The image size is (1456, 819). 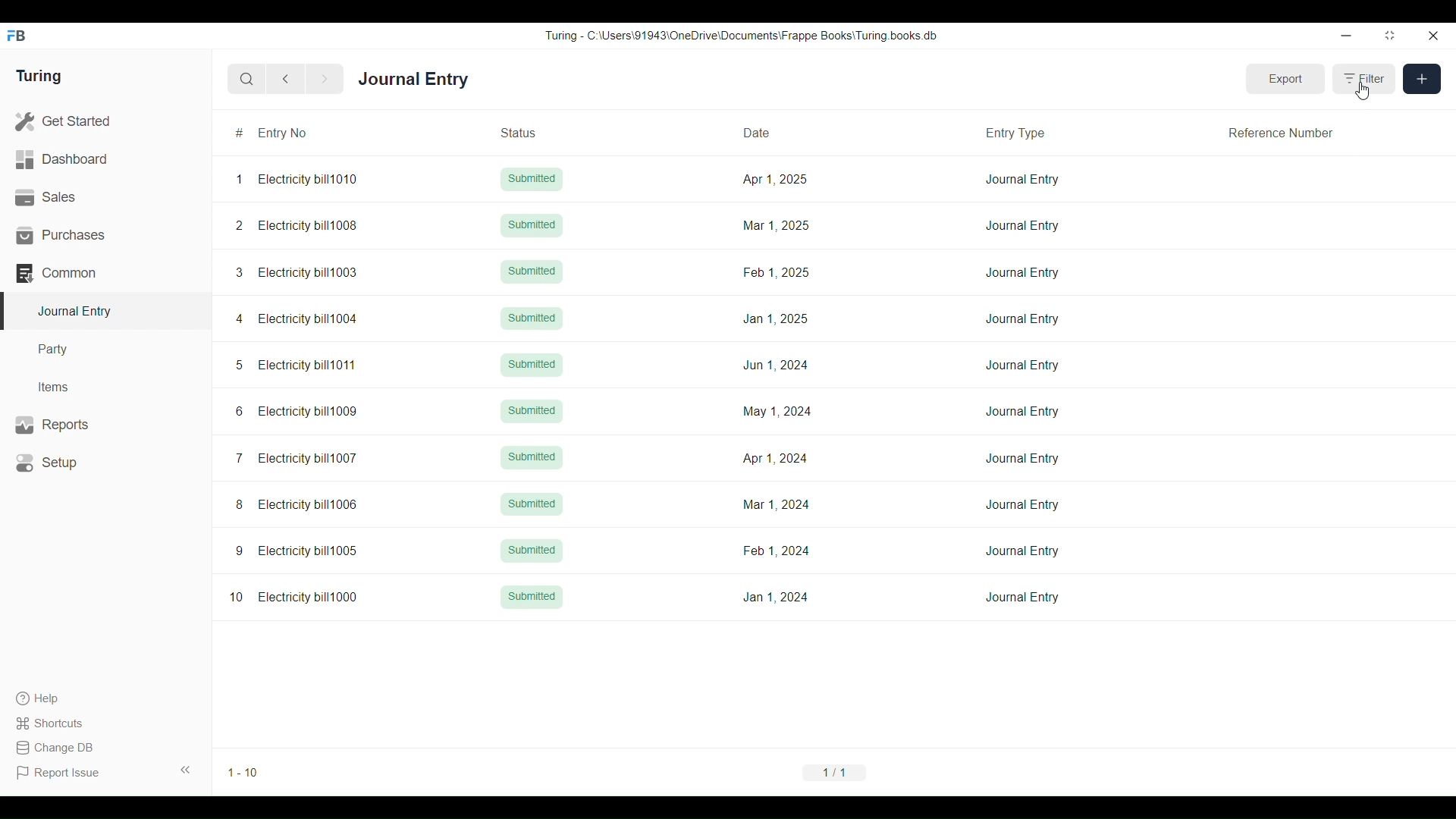 What do you see at coordinates (107, 425) in the screenshot?
I see `Reports` at bounding box center [107, 425].